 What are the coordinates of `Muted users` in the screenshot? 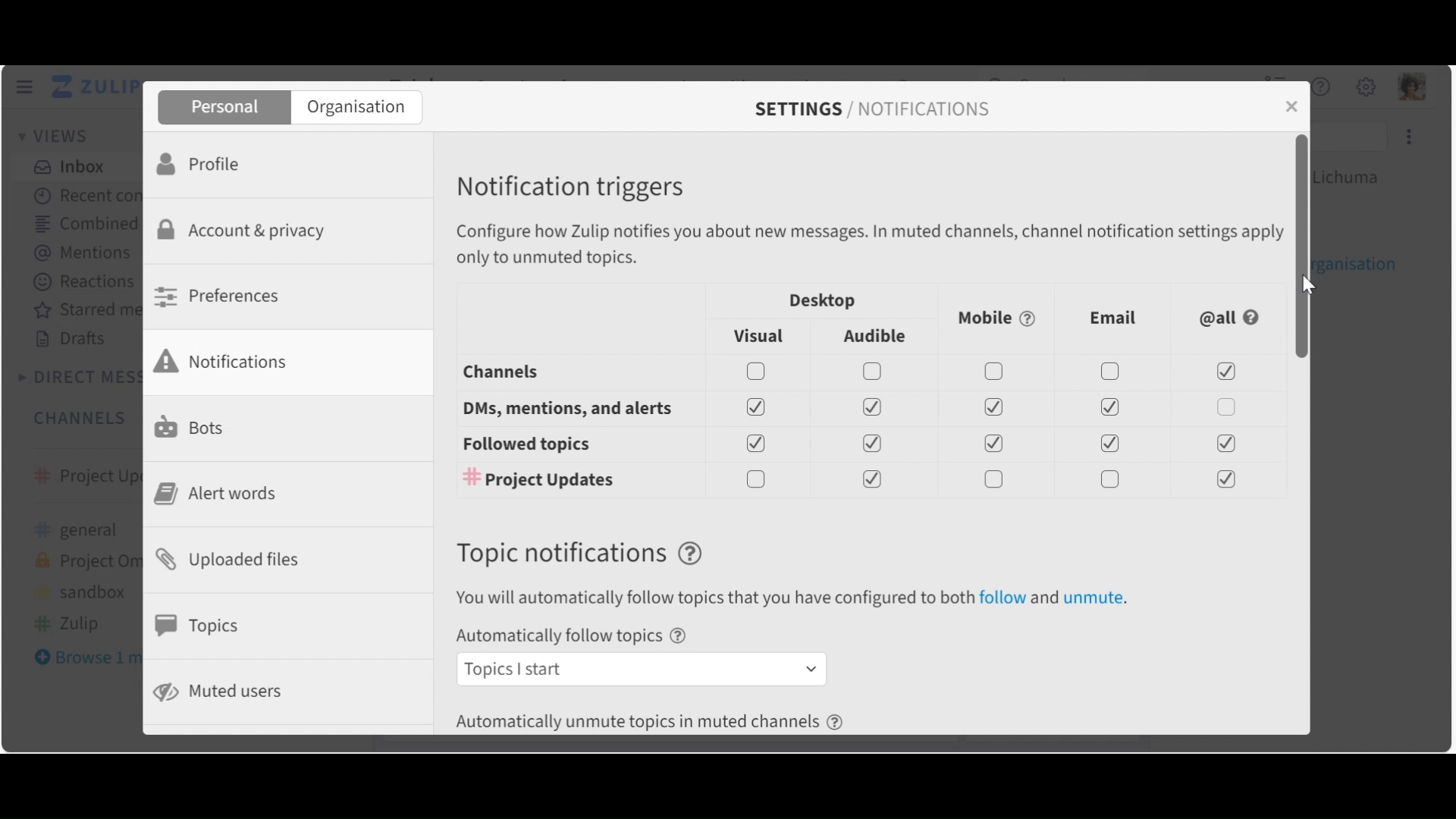 It's located at (221, 692).